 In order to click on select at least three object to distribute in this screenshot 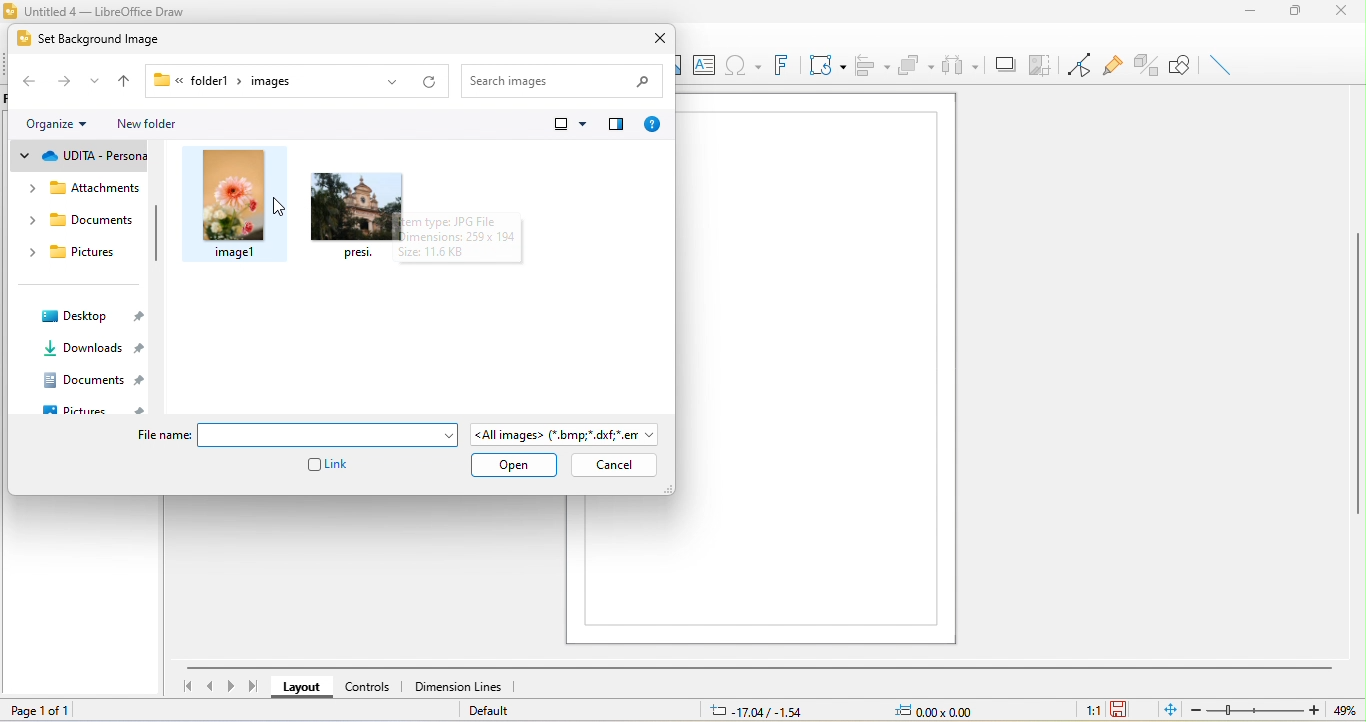, I will do `click(963, 66)`.